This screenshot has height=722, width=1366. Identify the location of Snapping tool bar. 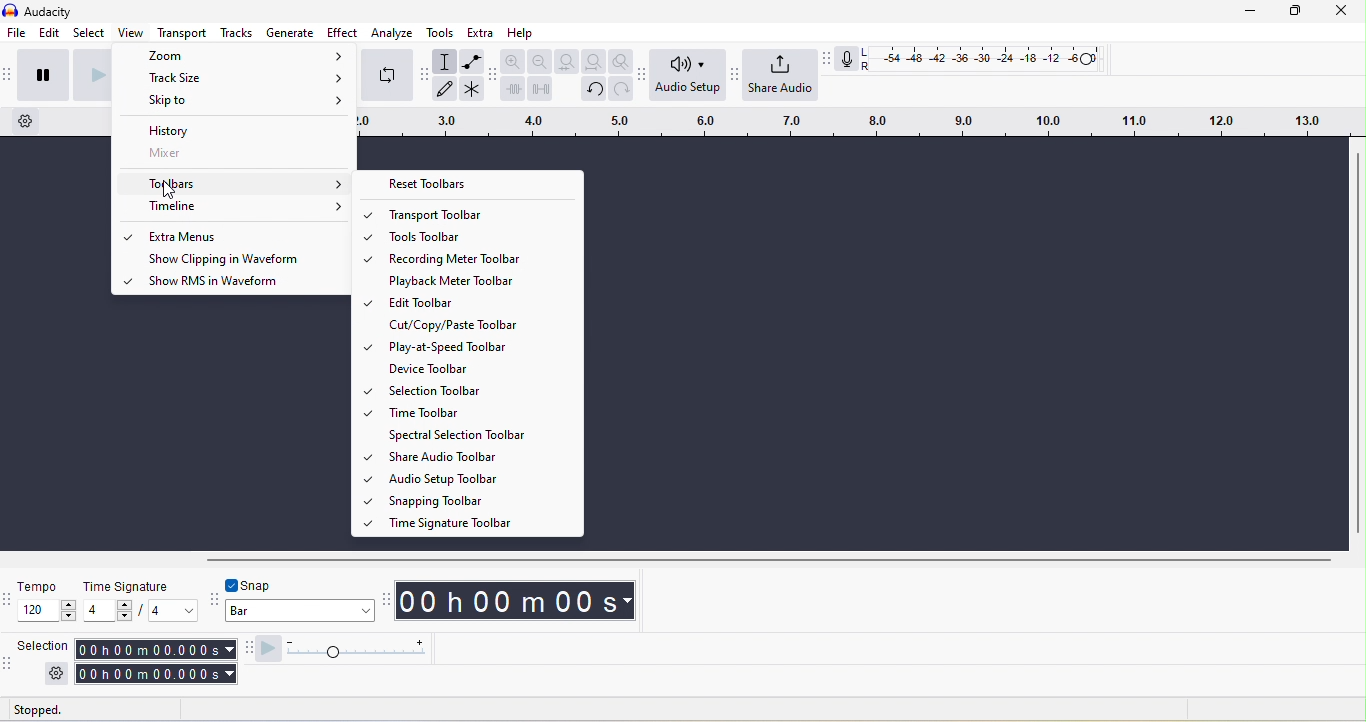
(480, 500).